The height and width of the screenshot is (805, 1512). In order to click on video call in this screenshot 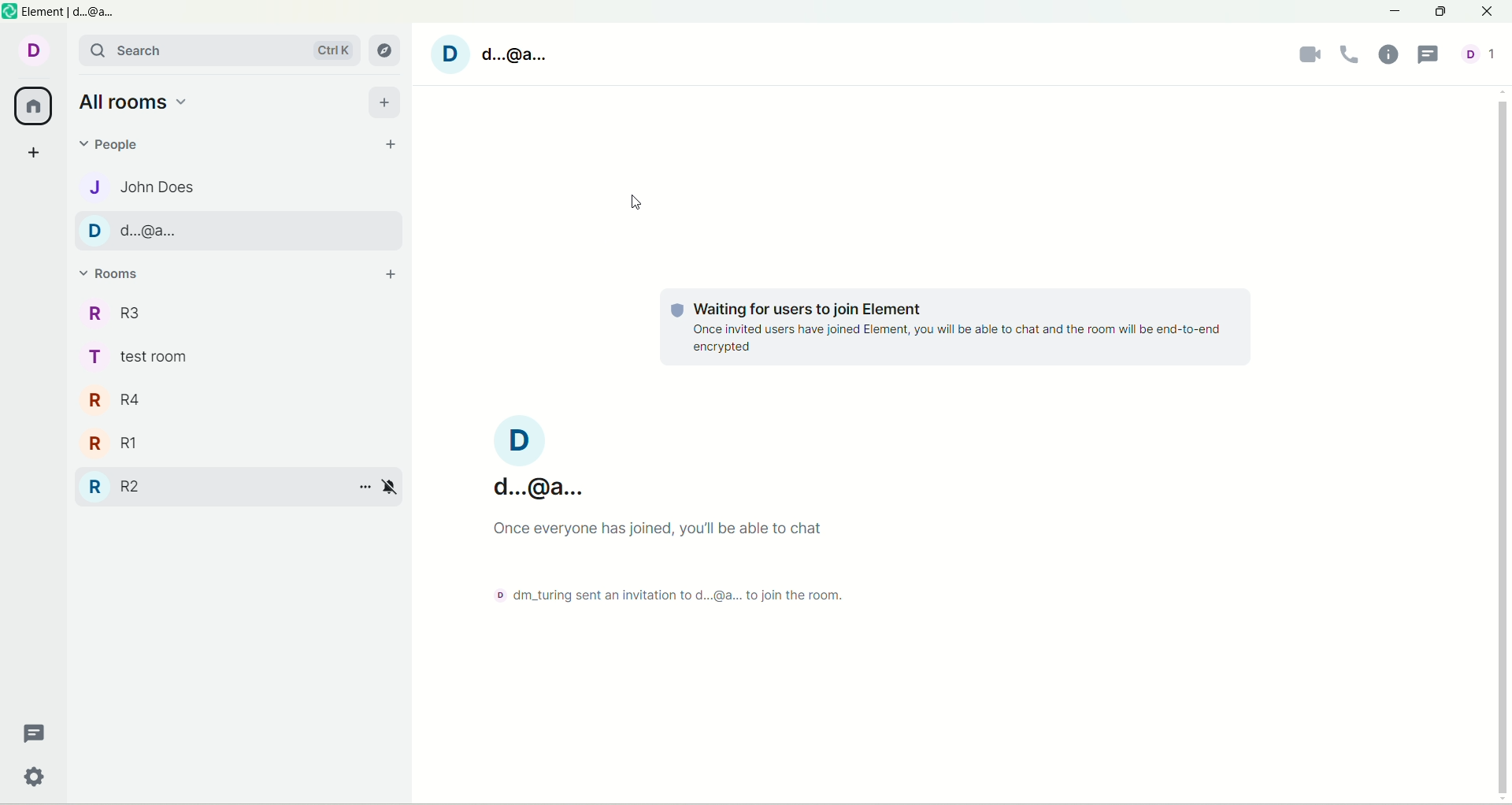, I will do `click(1310, 54)`.